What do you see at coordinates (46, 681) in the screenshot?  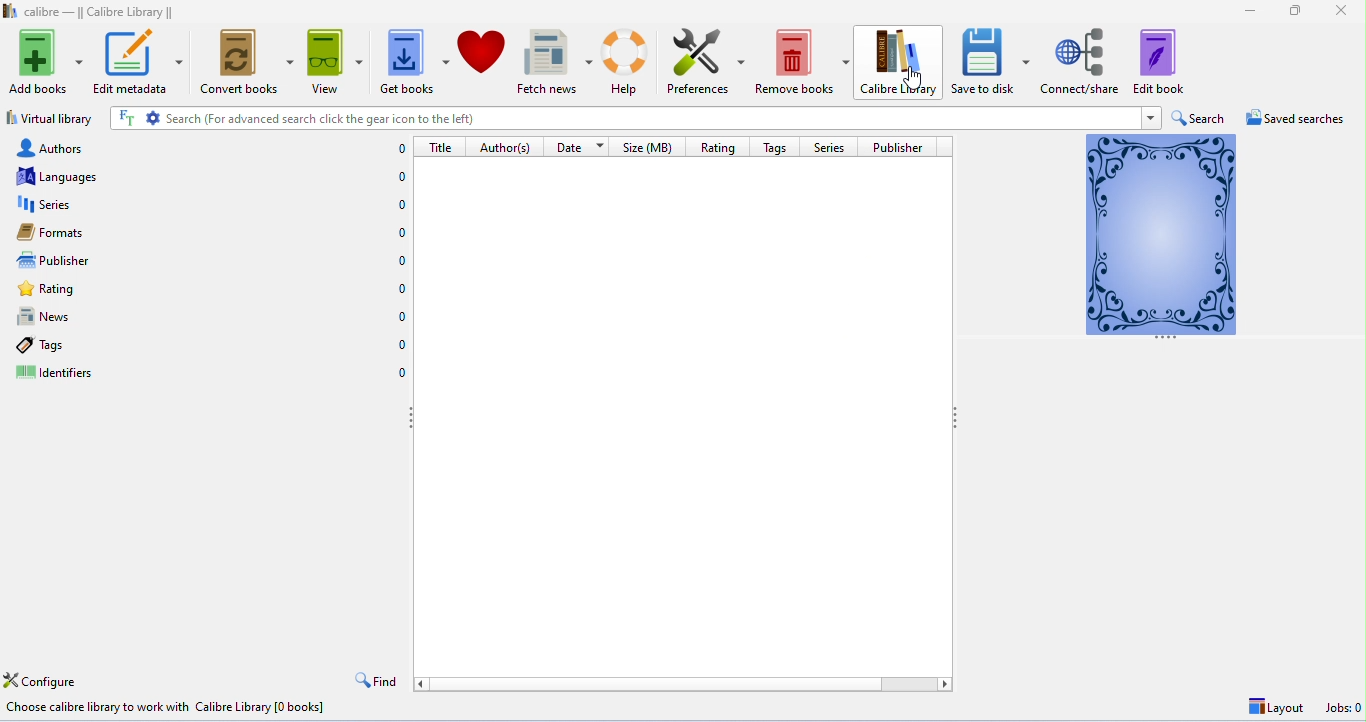 I see `configure` at bounding box center [46, 681].